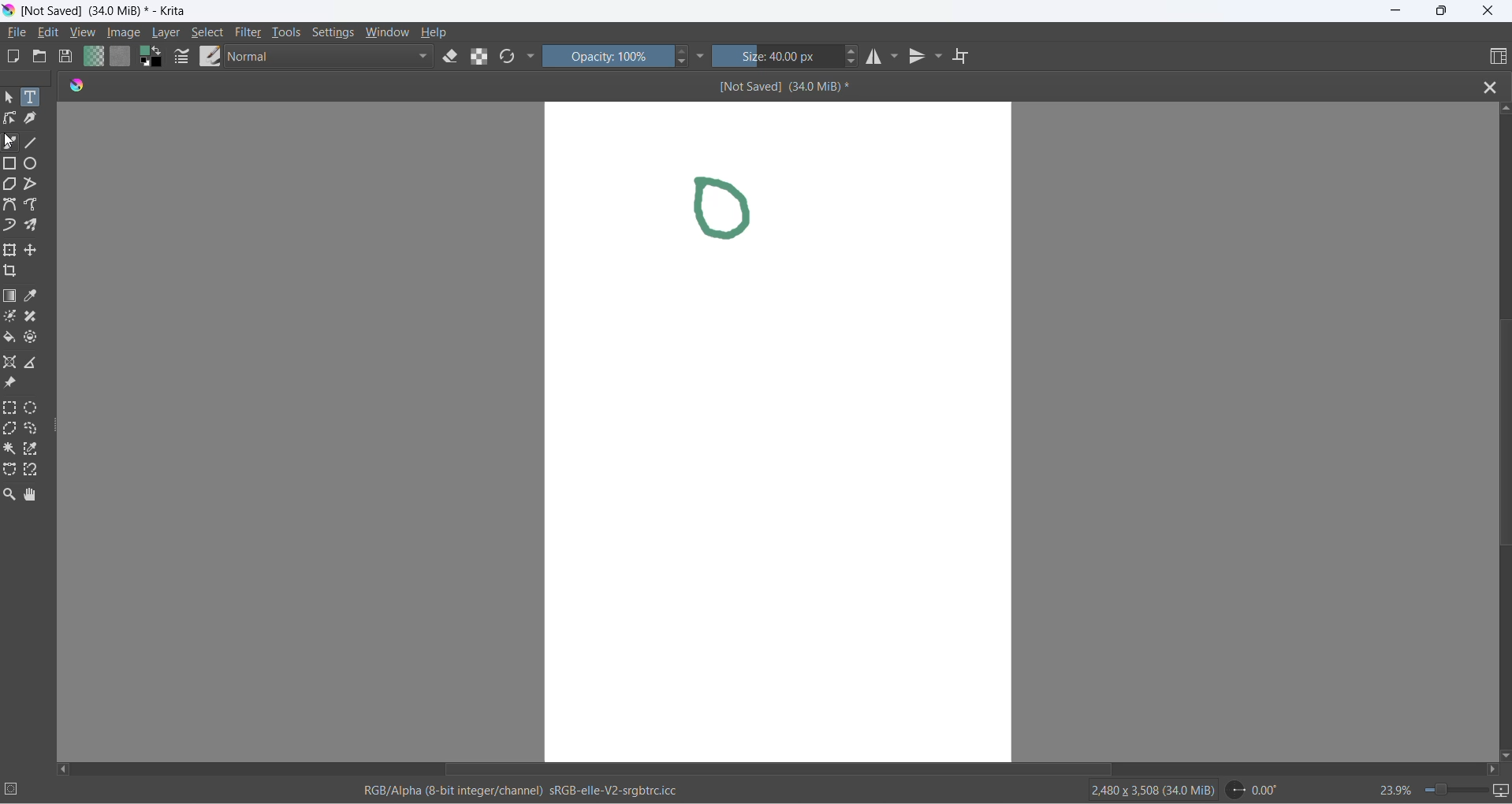 This screenshot has width=1512, height=804. What do you see at coordinates (728, 202) in the screenshot?
I see `drawing` at bounding box center [728, 202].